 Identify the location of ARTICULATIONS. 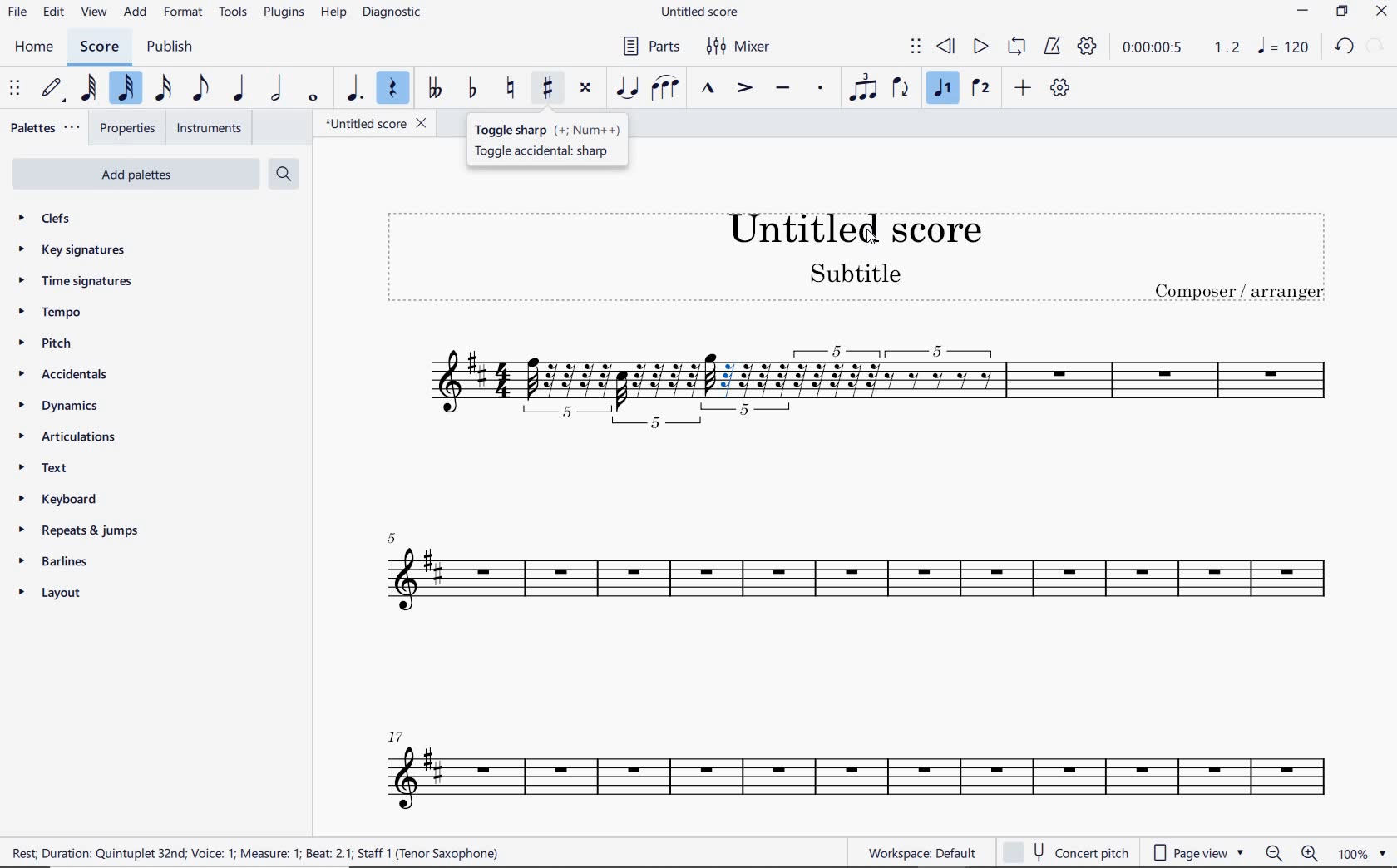
(67, 439).